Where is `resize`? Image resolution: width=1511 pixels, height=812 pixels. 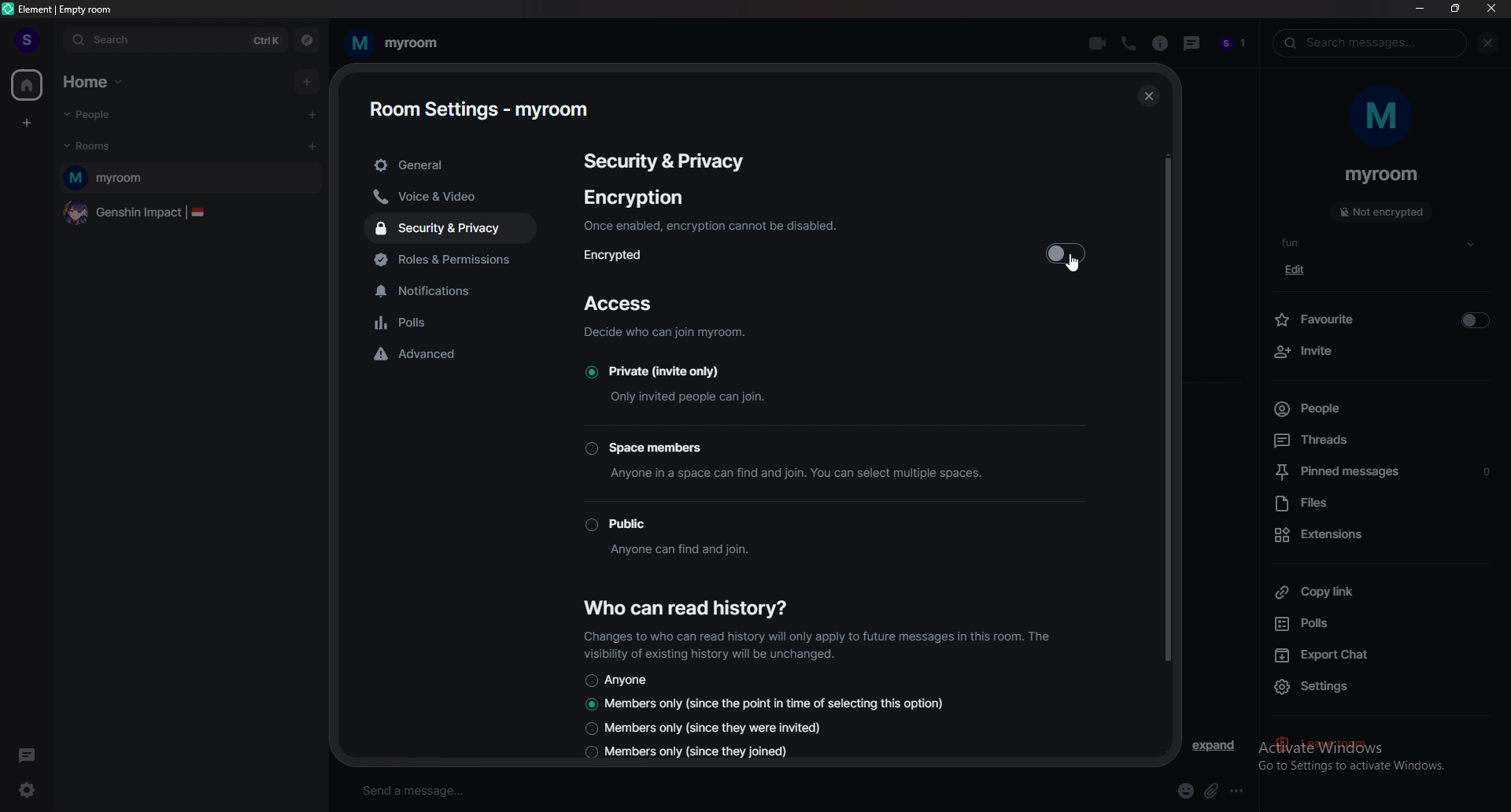 resize is located at coordinates (1455, 9).